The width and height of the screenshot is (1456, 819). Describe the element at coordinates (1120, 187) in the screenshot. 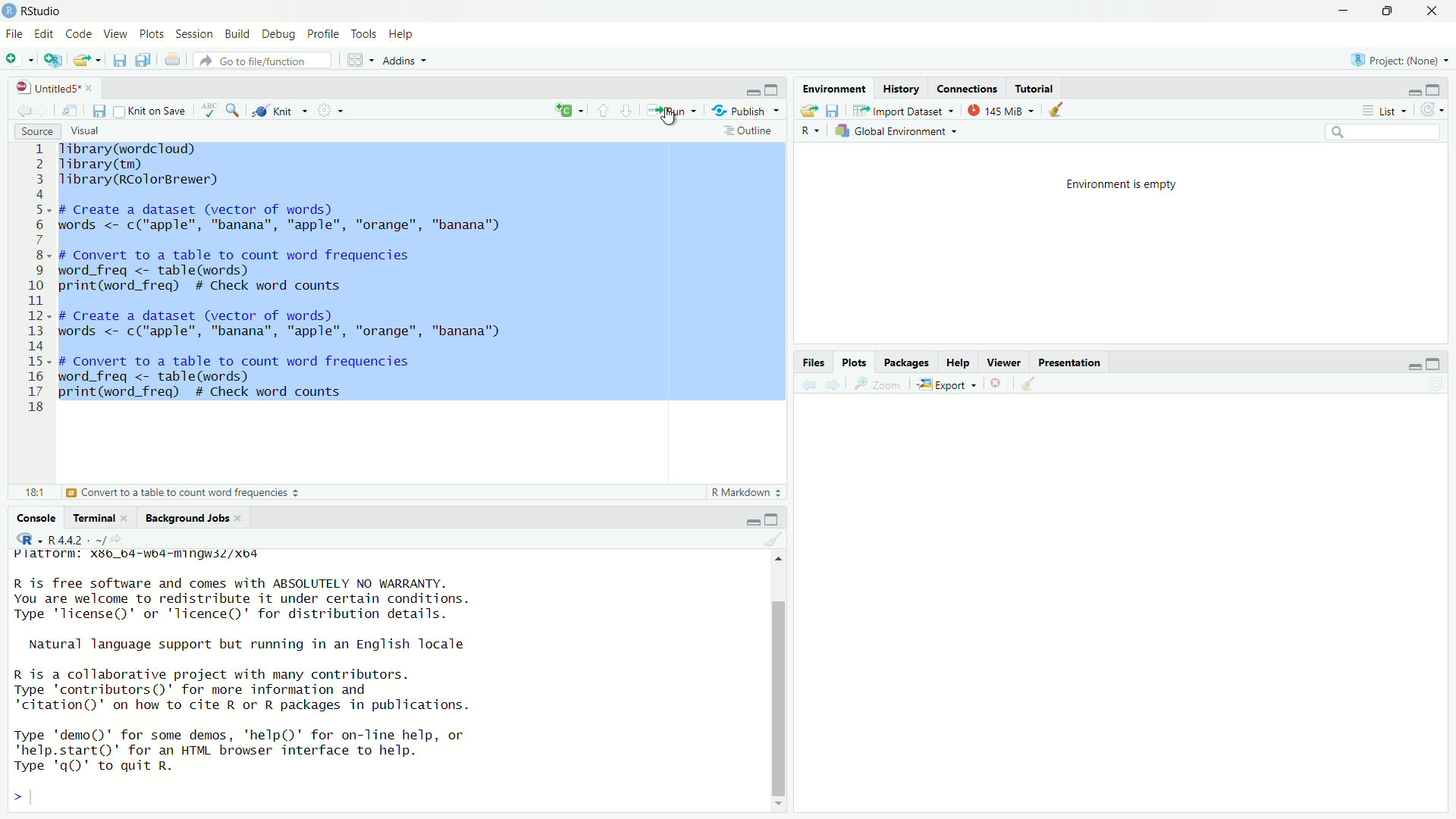

I see `Environment is empty` at that location.